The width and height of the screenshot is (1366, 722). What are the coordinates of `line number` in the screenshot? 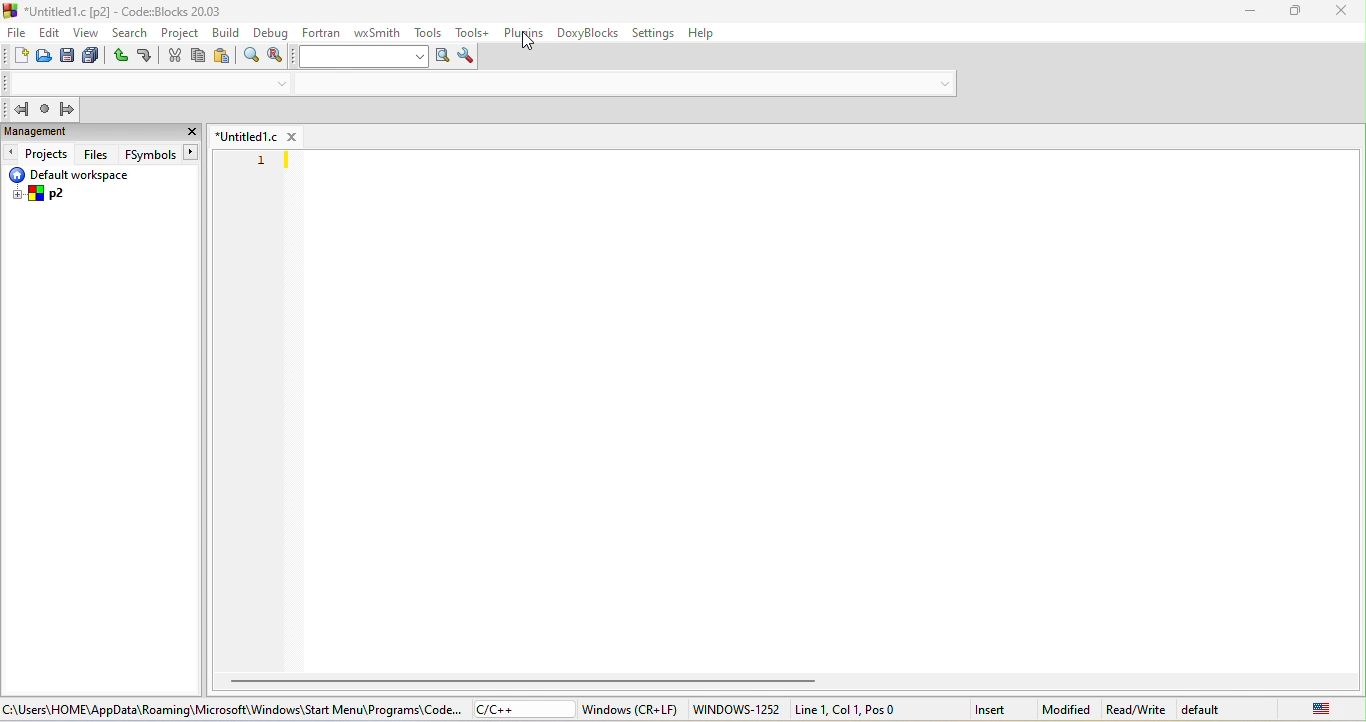 It's located at (261, 159).